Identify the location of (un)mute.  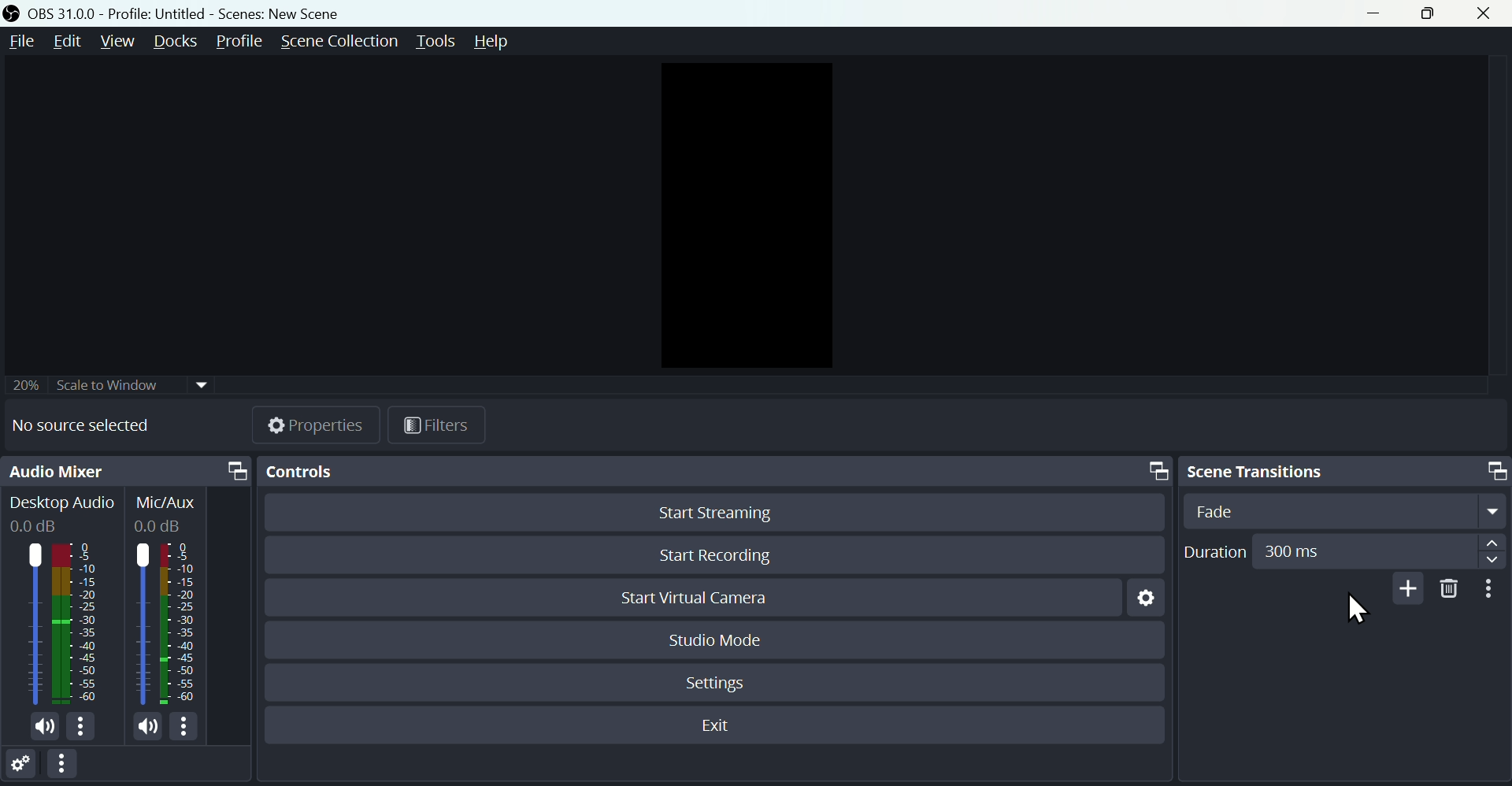
(148, 728).